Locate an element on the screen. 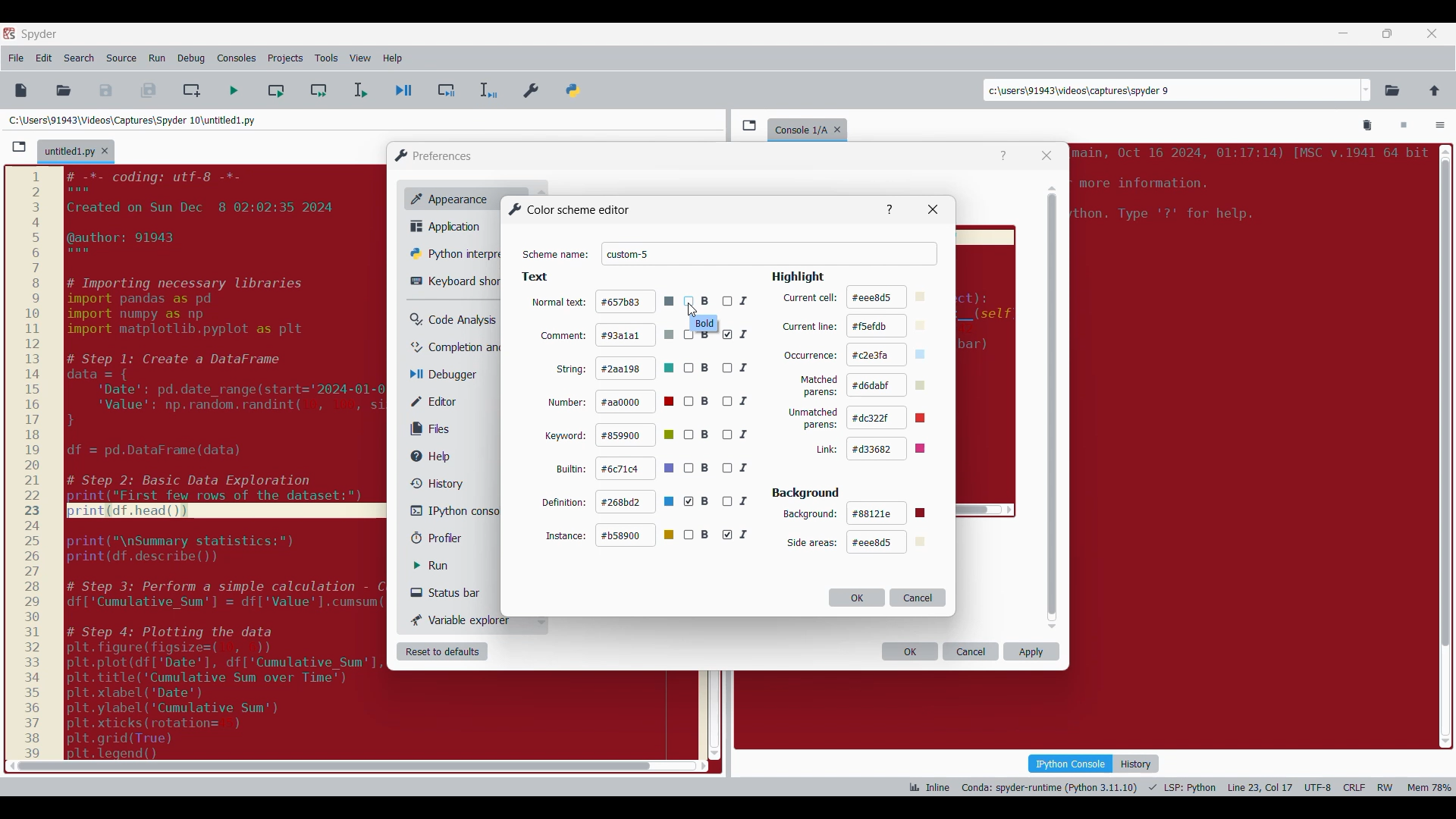  Code analysis is located at coordinates (453, 320).